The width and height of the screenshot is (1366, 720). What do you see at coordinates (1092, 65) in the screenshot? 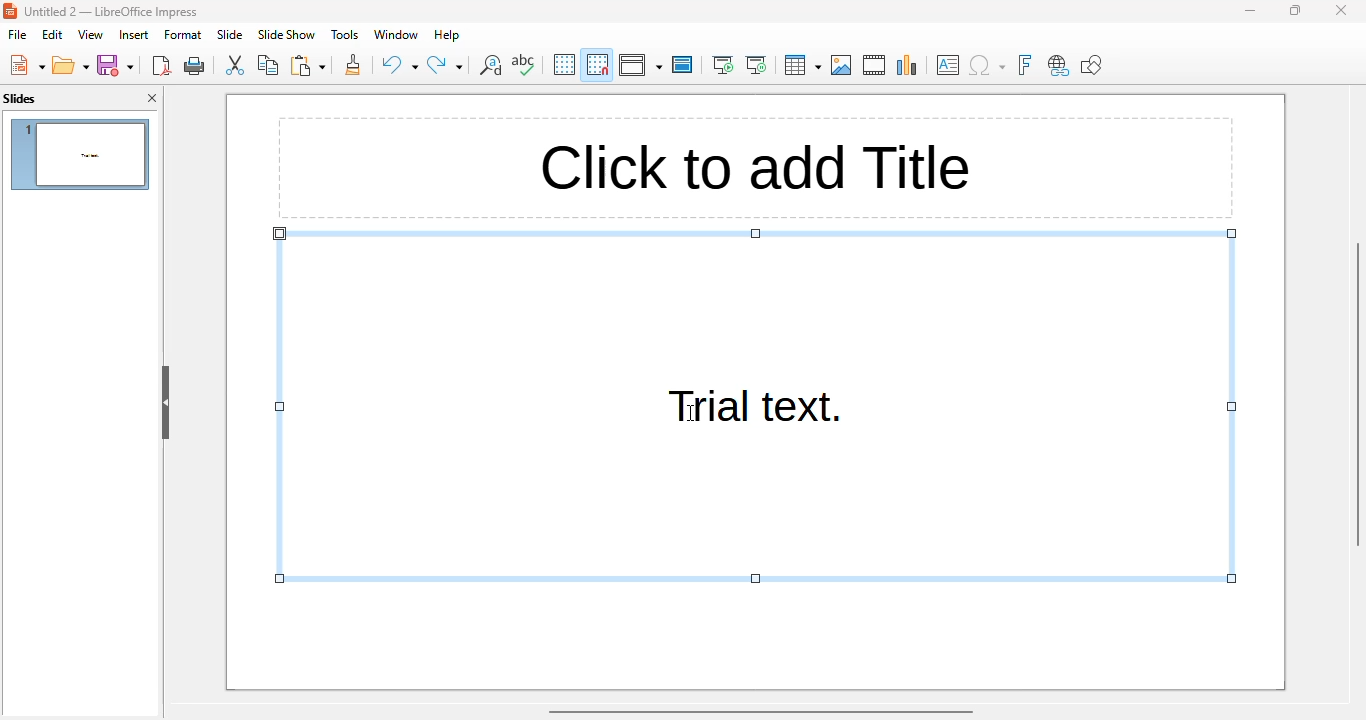
I see `show draw functions` at bounding box center [1092, 65].